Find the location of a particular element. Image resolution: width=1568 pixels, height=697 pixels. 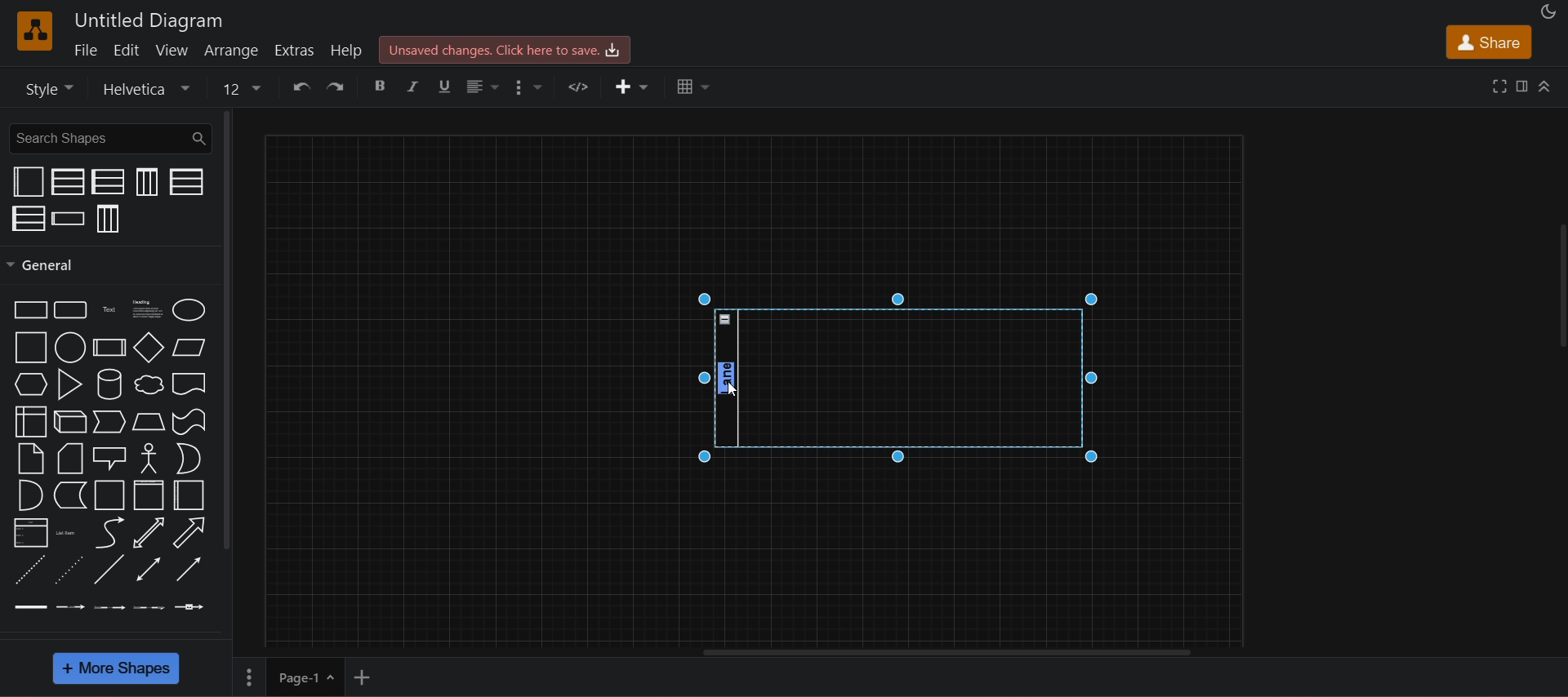

underline is located at coordinates (443, 84).